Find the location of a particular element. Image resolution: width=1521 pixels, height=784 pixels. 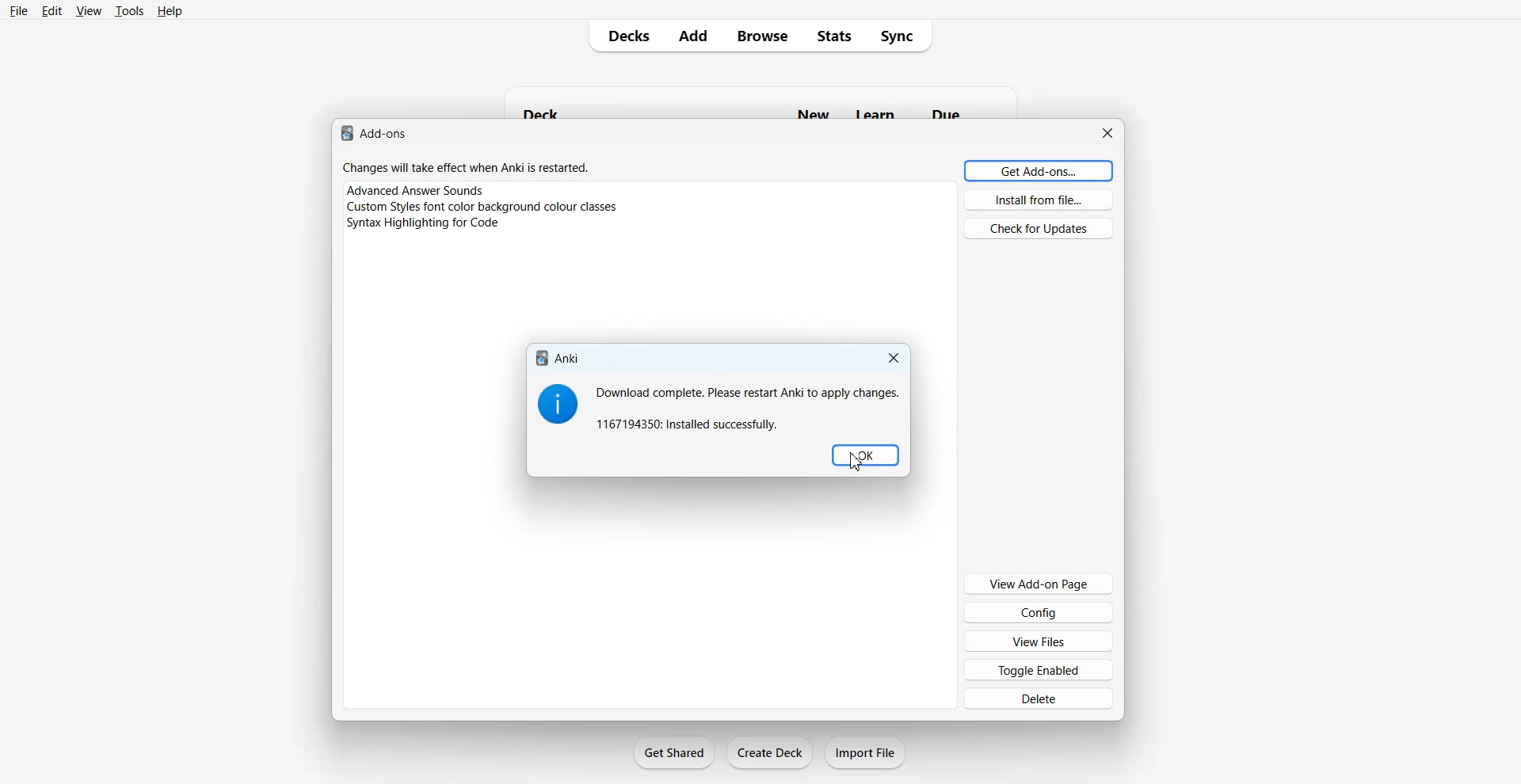

View is located at coordinates (88, 11).